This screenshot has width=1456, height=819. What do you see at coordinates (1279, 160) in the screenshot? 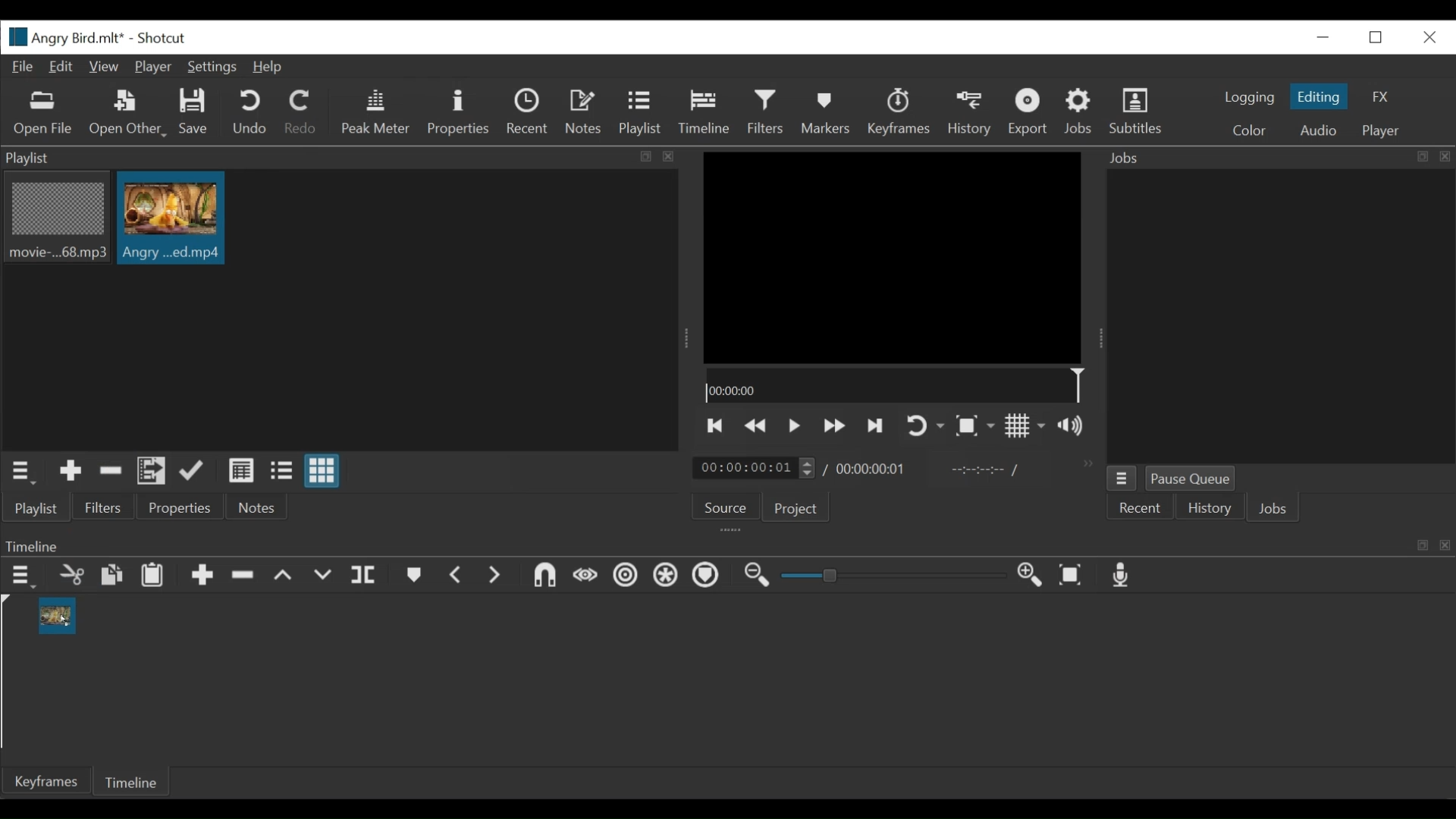
I see `Jobs Pnael` at bounding box center [1279, 160].